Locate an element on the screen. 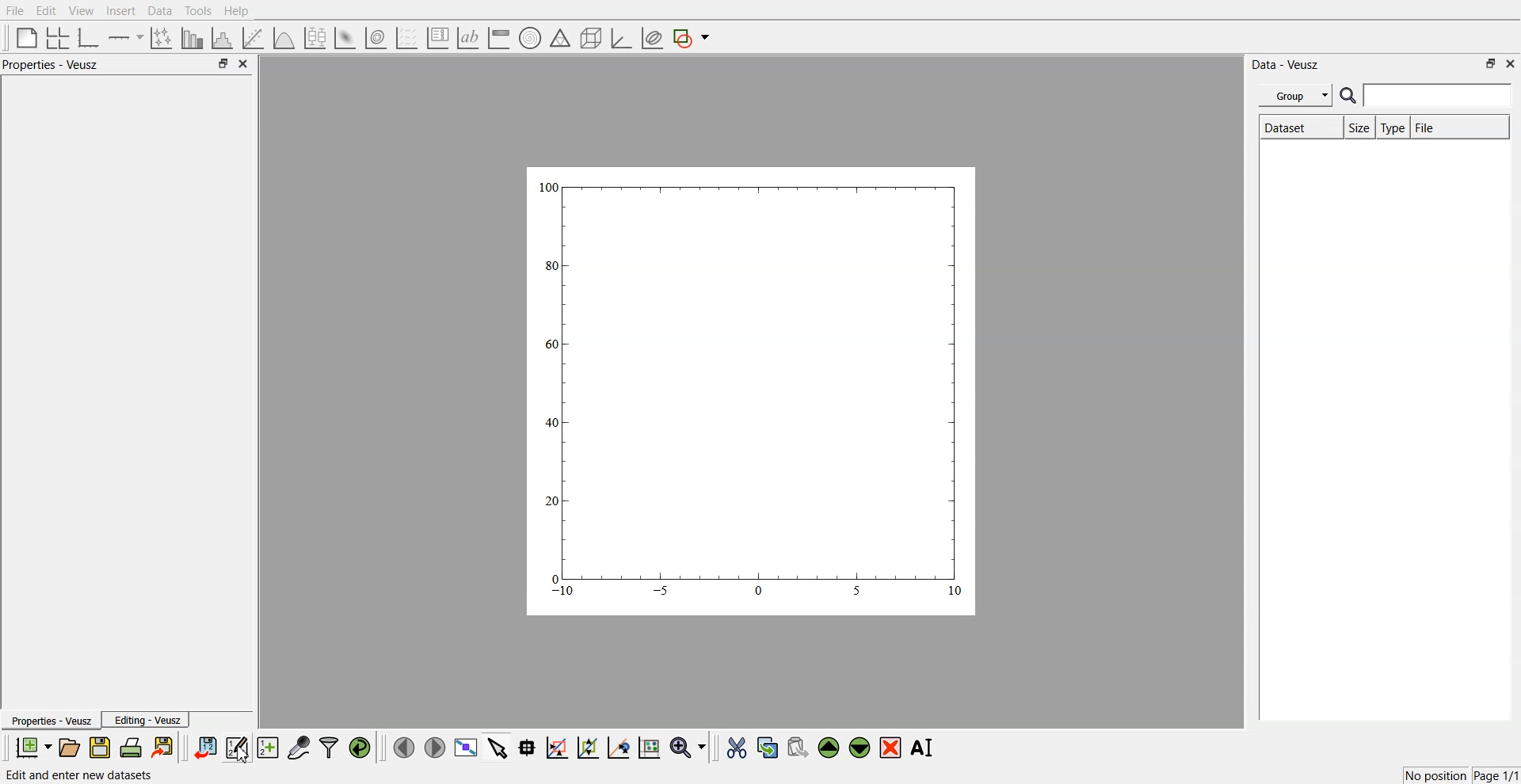  Properties - Veusz is located at coordinates (55, 65).